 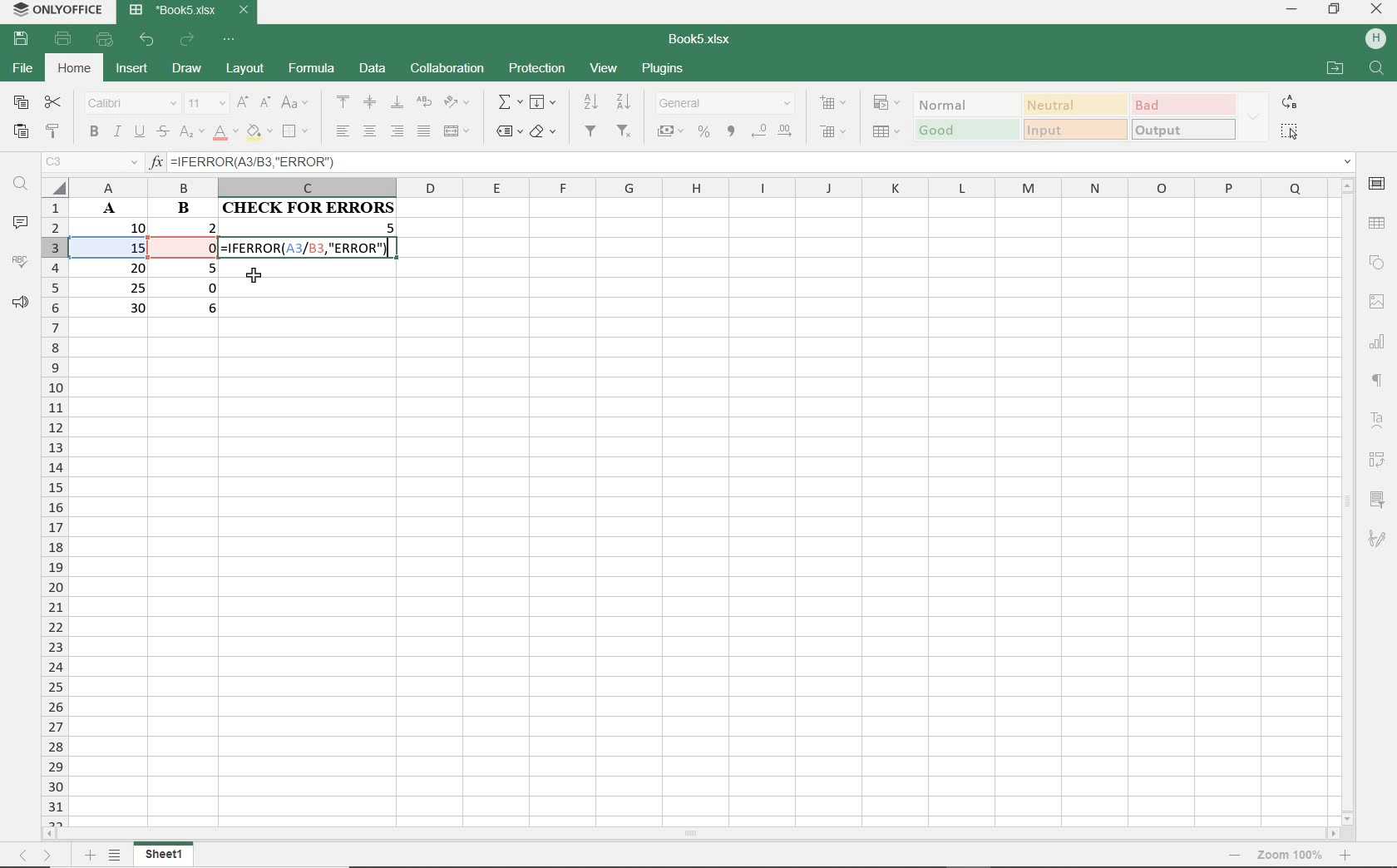 What do you see at coordinates (625, 132) in the screenshot?
I see `REMOVE FILTERS` at bounding box center [625, 132].